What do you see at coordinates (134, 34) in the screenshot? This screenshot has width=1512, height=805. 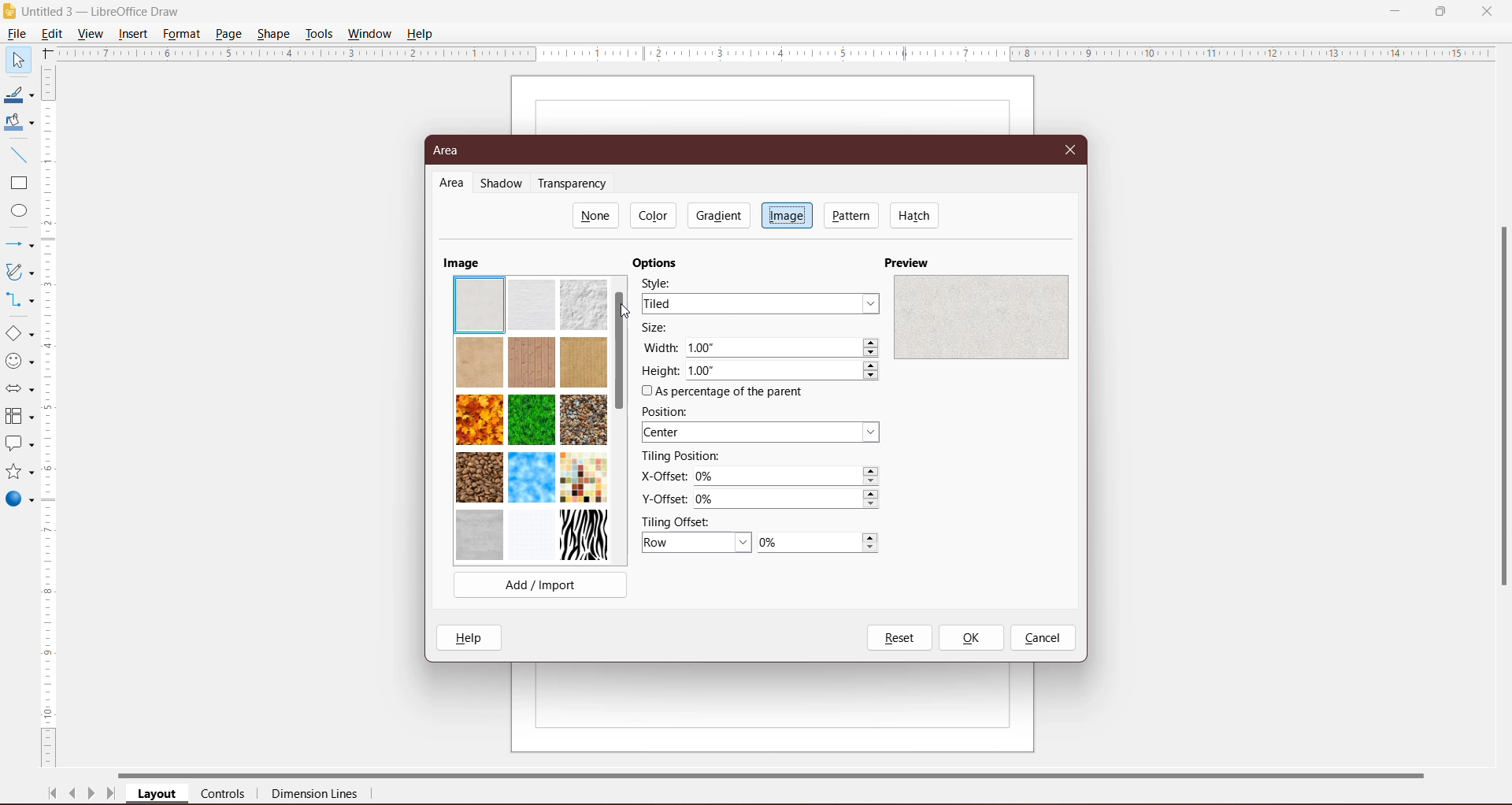 I see `Insert` at bounding box center [134, 34].